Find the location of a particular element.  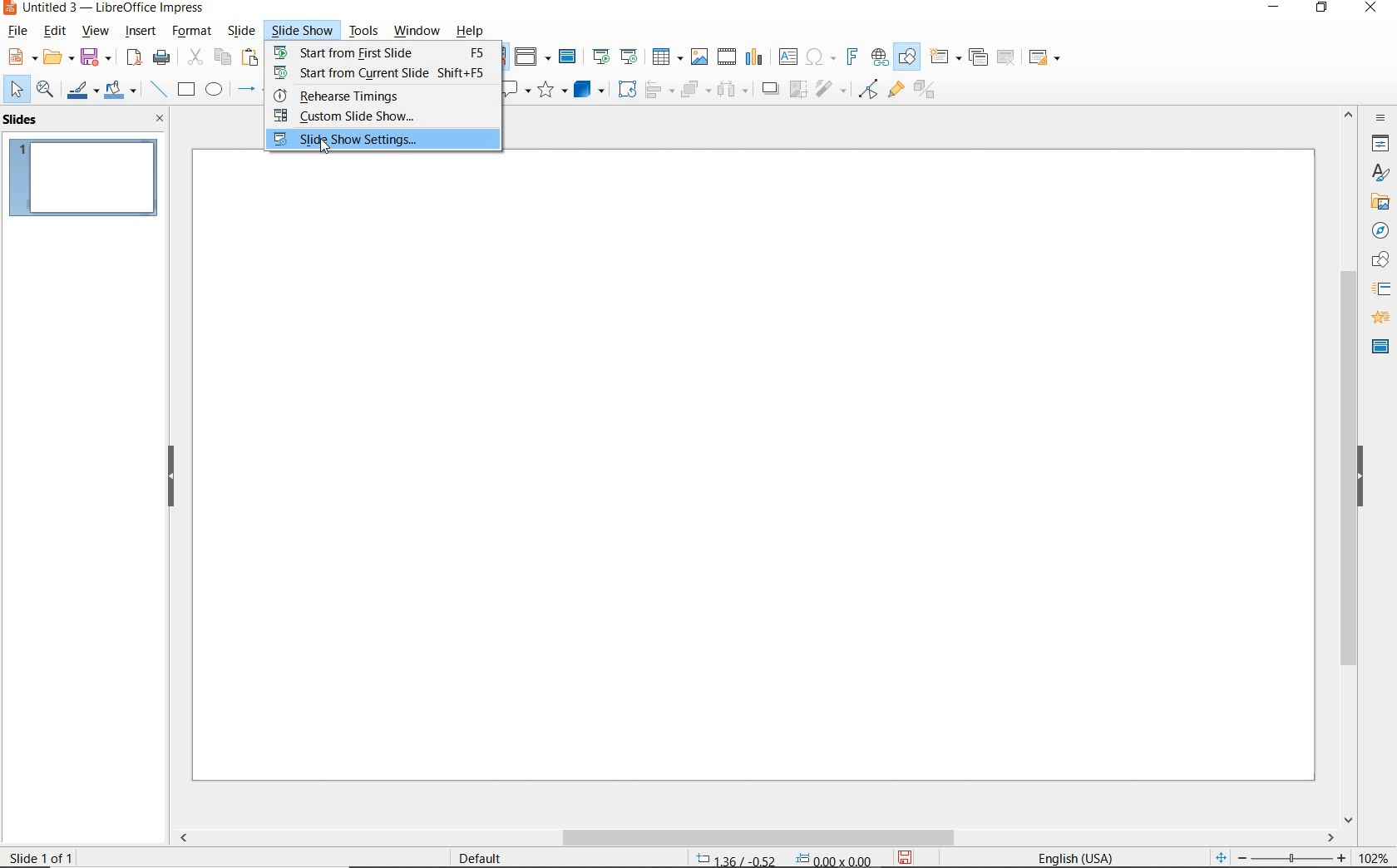

LINES AND ARROWS is located at coordinates (245, 91).